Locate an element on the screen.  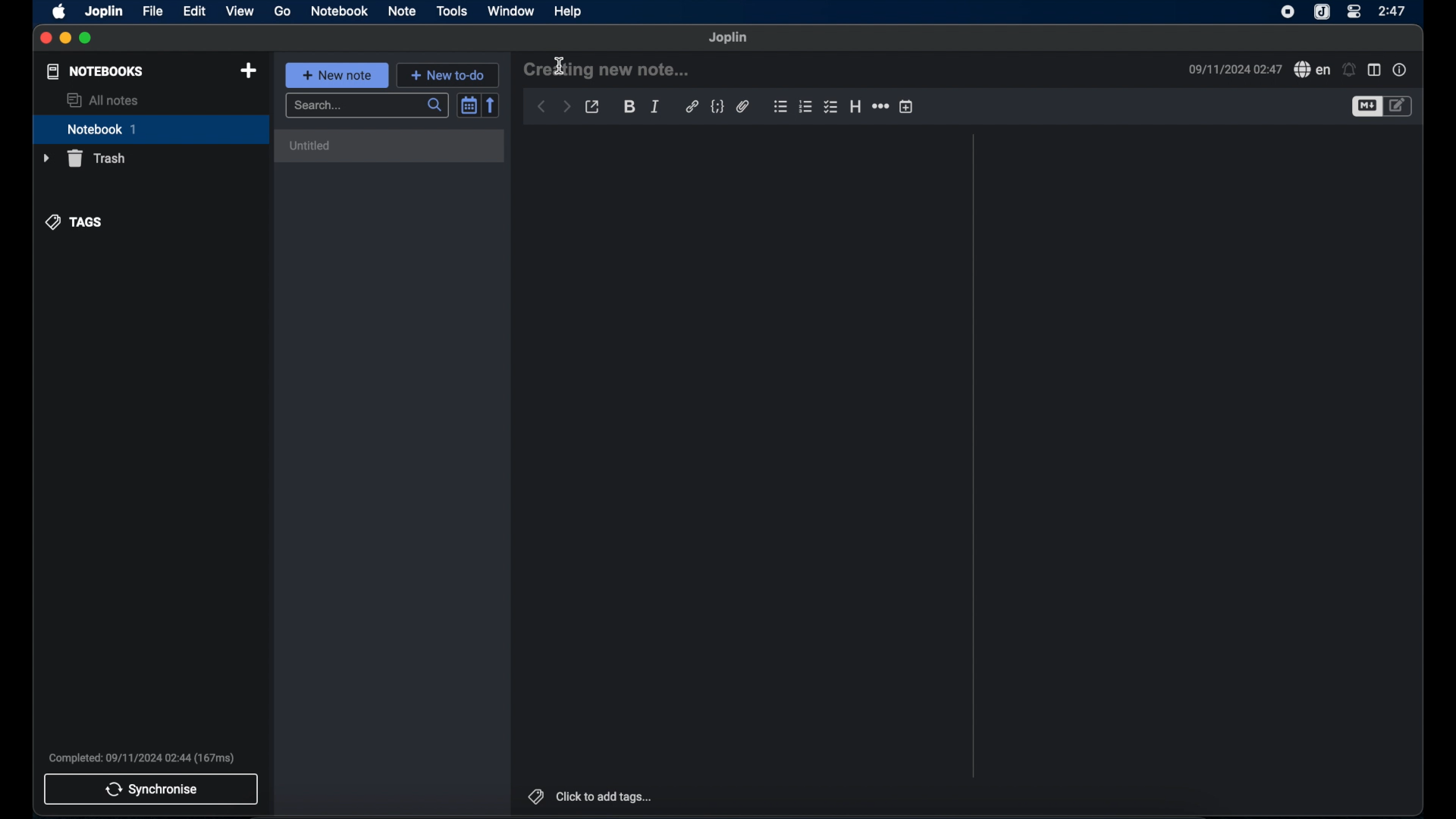
insert time is located at coordinates (907, 107).